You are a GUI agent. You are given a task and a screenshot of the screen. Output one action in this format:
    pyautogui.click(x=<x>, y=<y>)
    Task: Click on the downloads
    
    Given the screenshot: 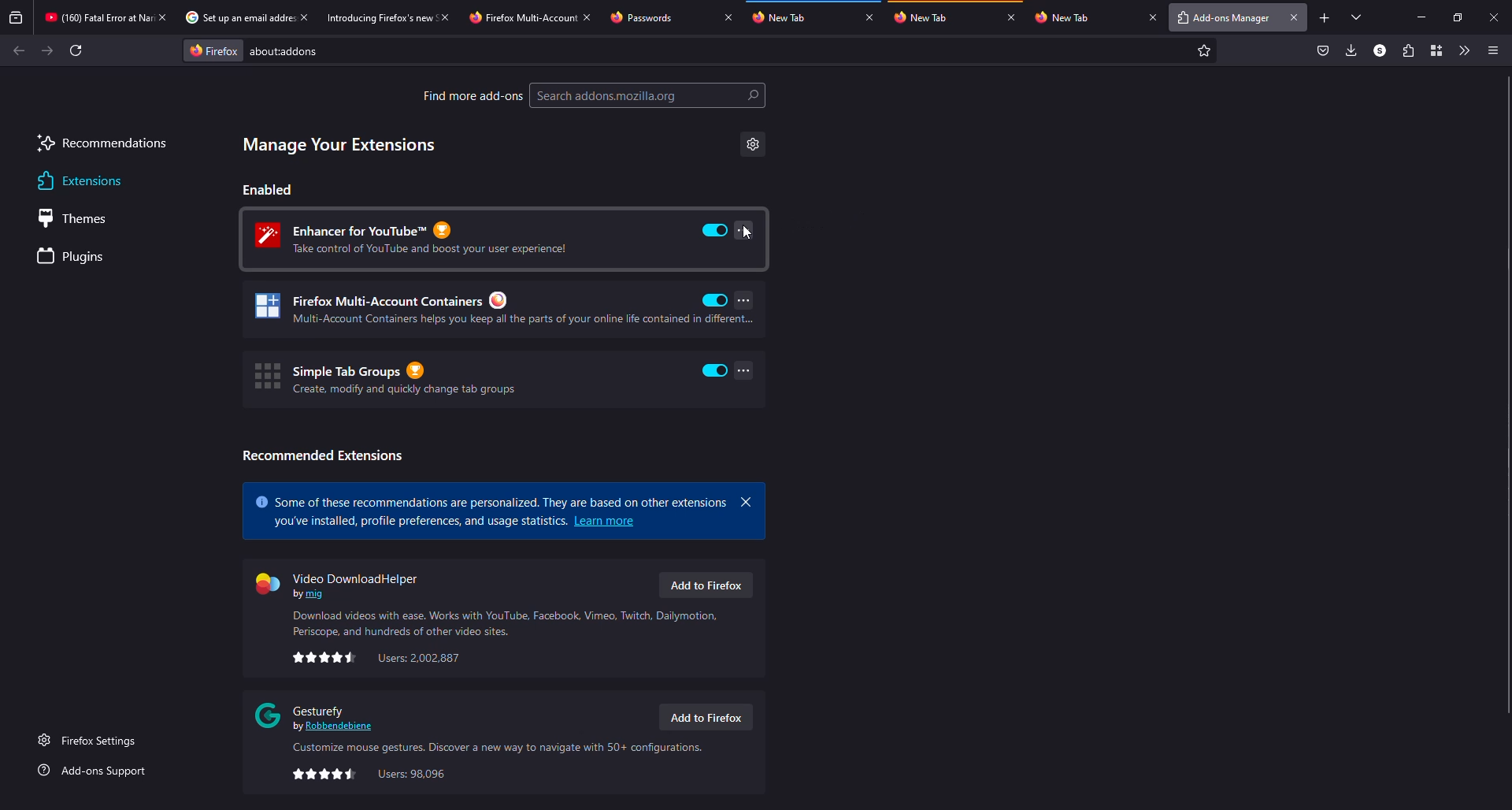 What is the action you would take?
    pyautogui.click(x=1350, y=50)
    